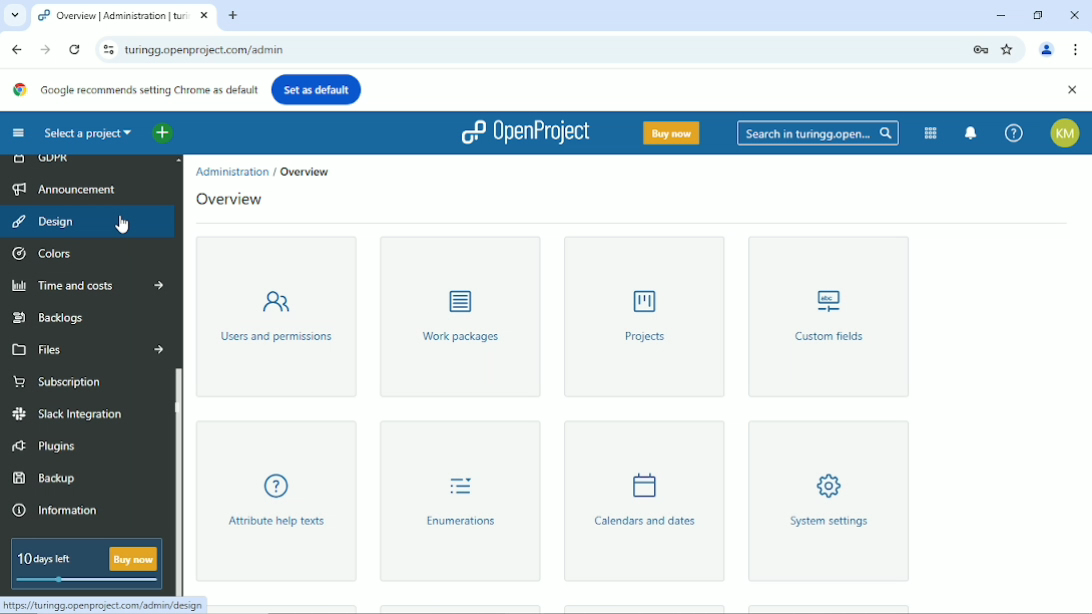 The image size is (1092, 614). What do you see at coordinates (1048, 48) in the screenshot?
I see `Account` at bounding box center [1048, 48].